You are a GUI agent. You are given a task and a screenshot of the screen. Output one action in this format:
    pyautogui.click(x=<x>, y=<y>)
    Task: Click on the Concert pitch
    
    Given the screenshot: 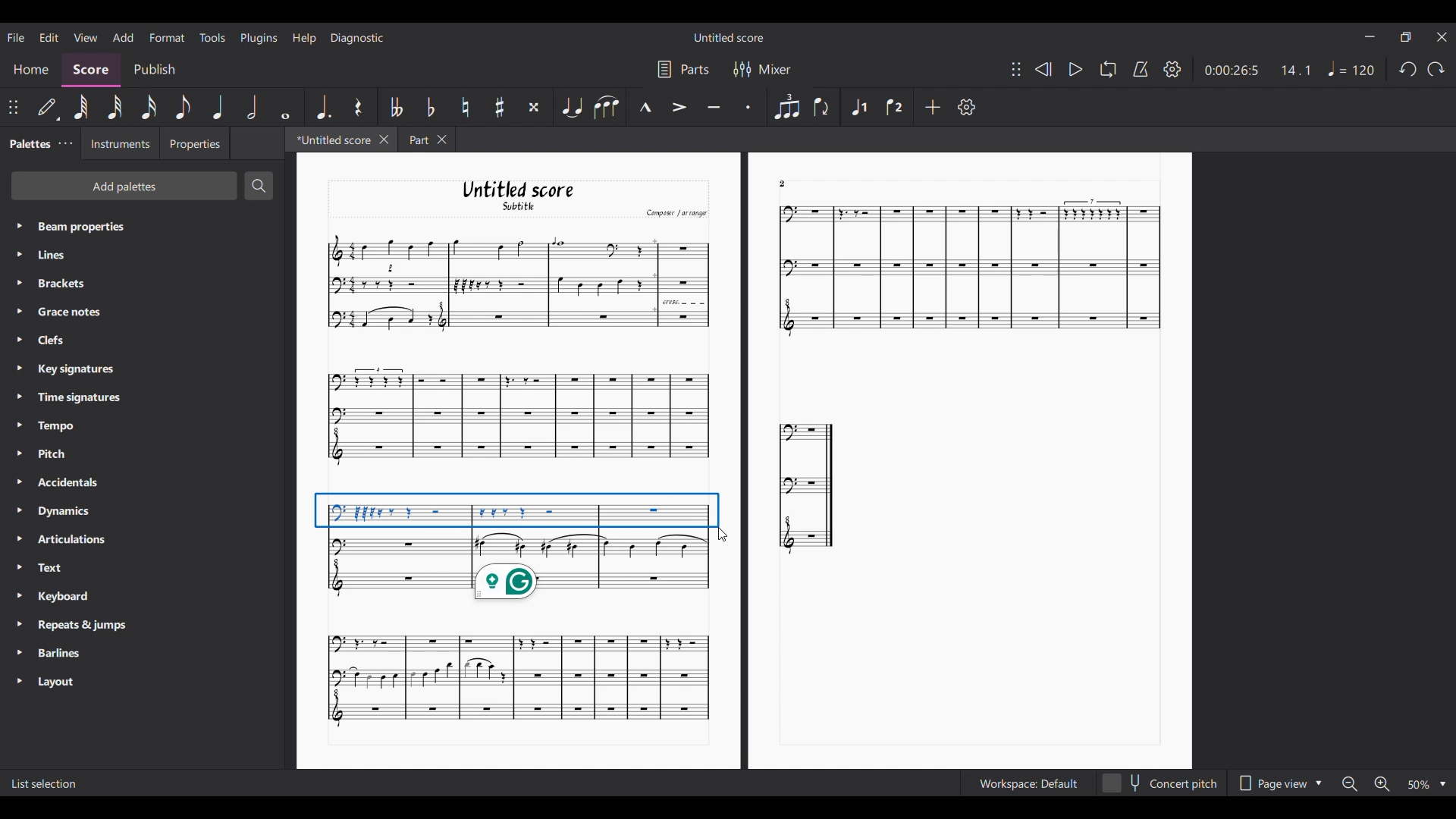 What is the action you would take?
    pyautogui.click(x=1159, y=783)
    